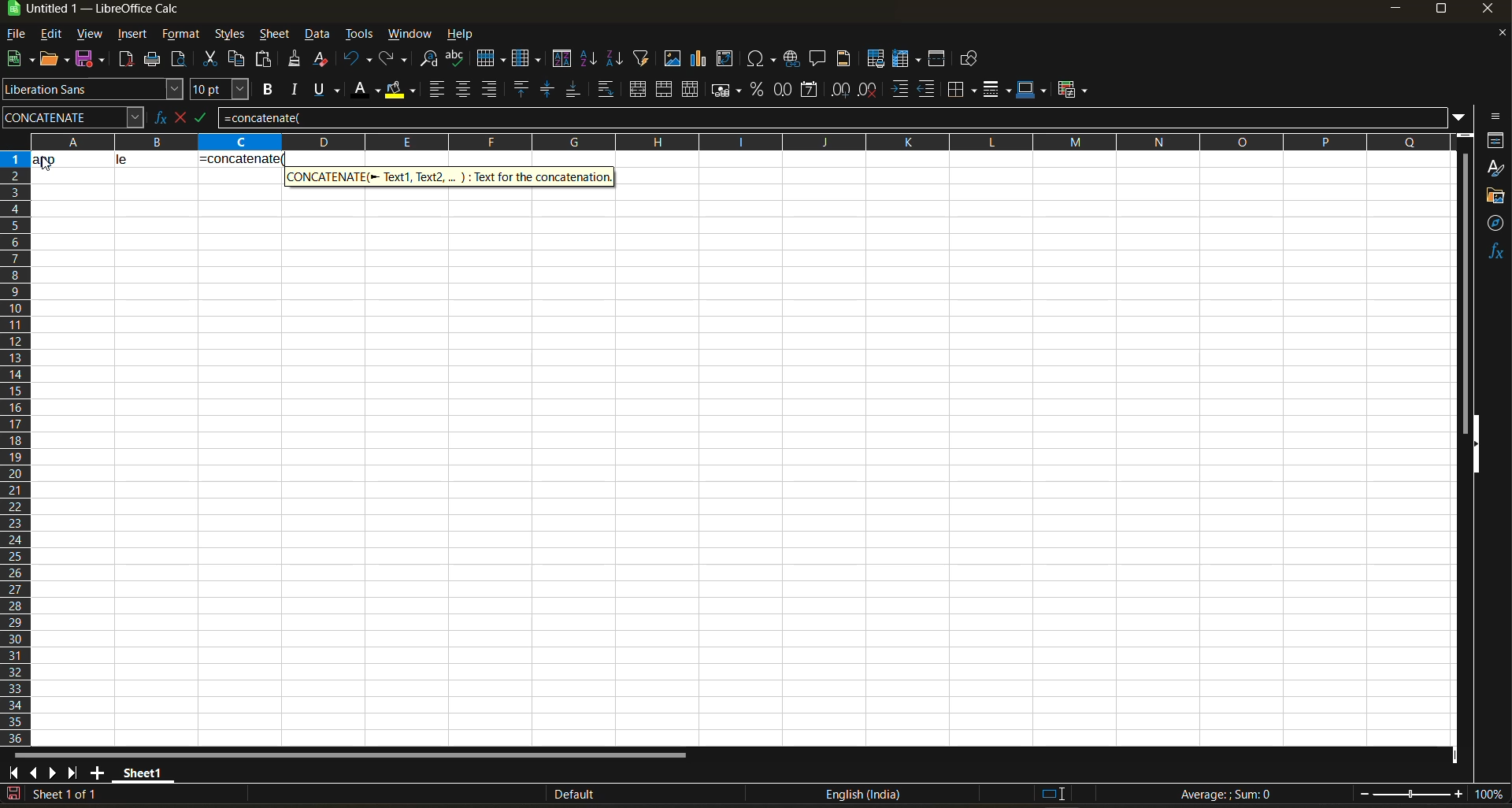 Image resolution: width=1512 pixels, height=808 pixels. I want to click on merge and center, so click(638, 91).